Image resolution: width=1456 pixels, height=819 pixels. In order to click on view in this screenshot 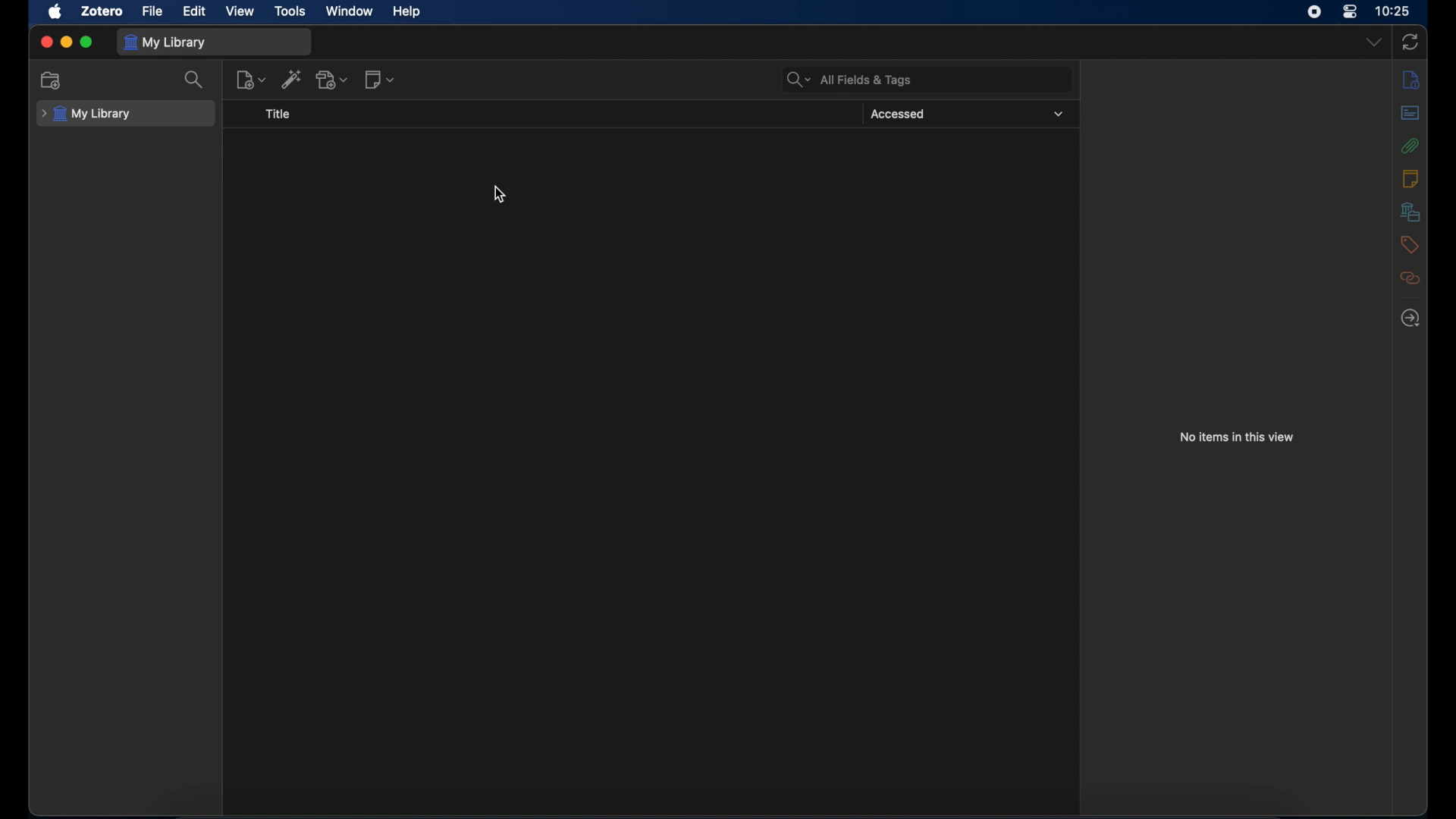, I will do `click(240, 11)`.